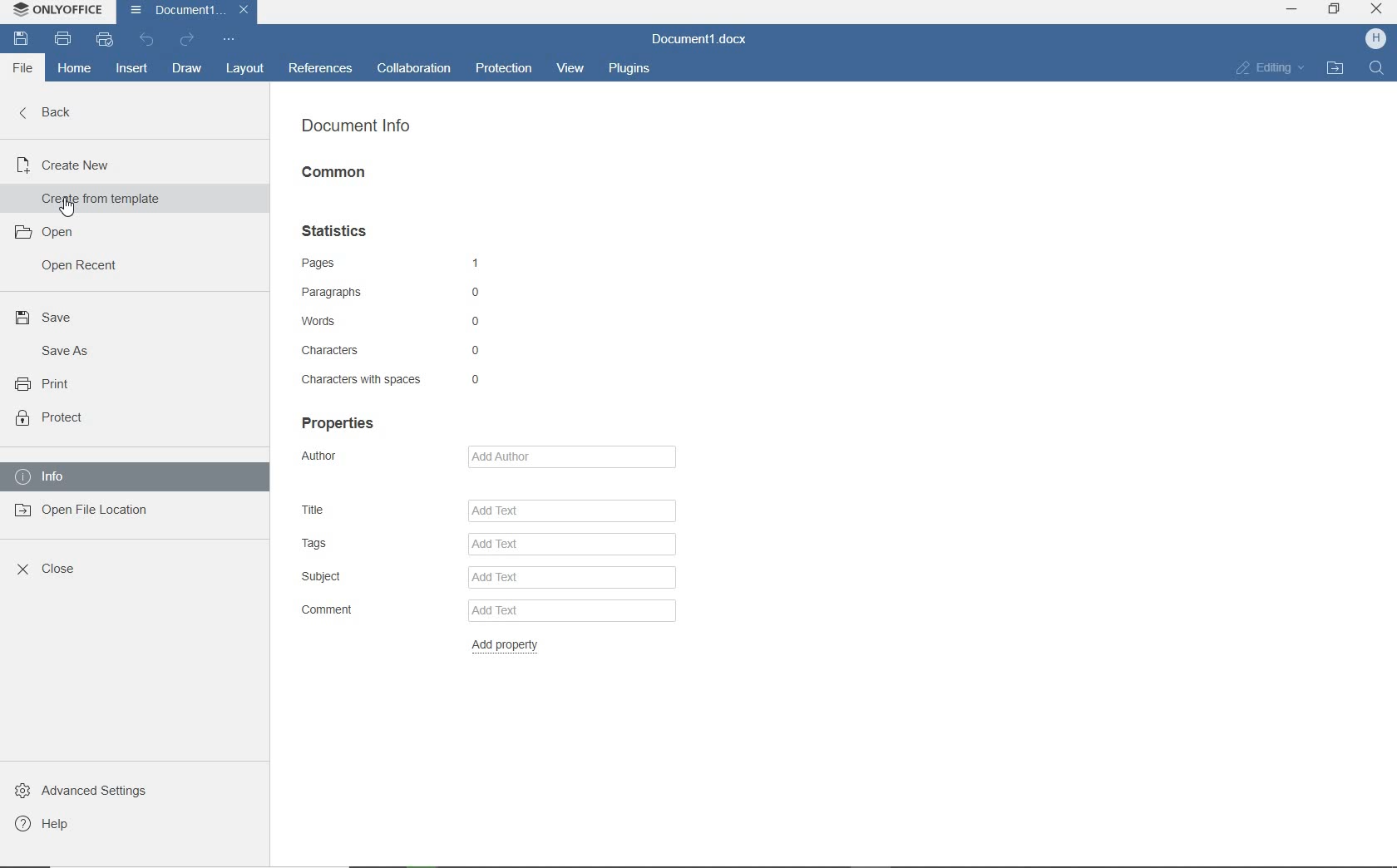  What do you see at coordinates (413, 67) in the screenshot?
I see `collaboration` at bounding box center [413, 67].